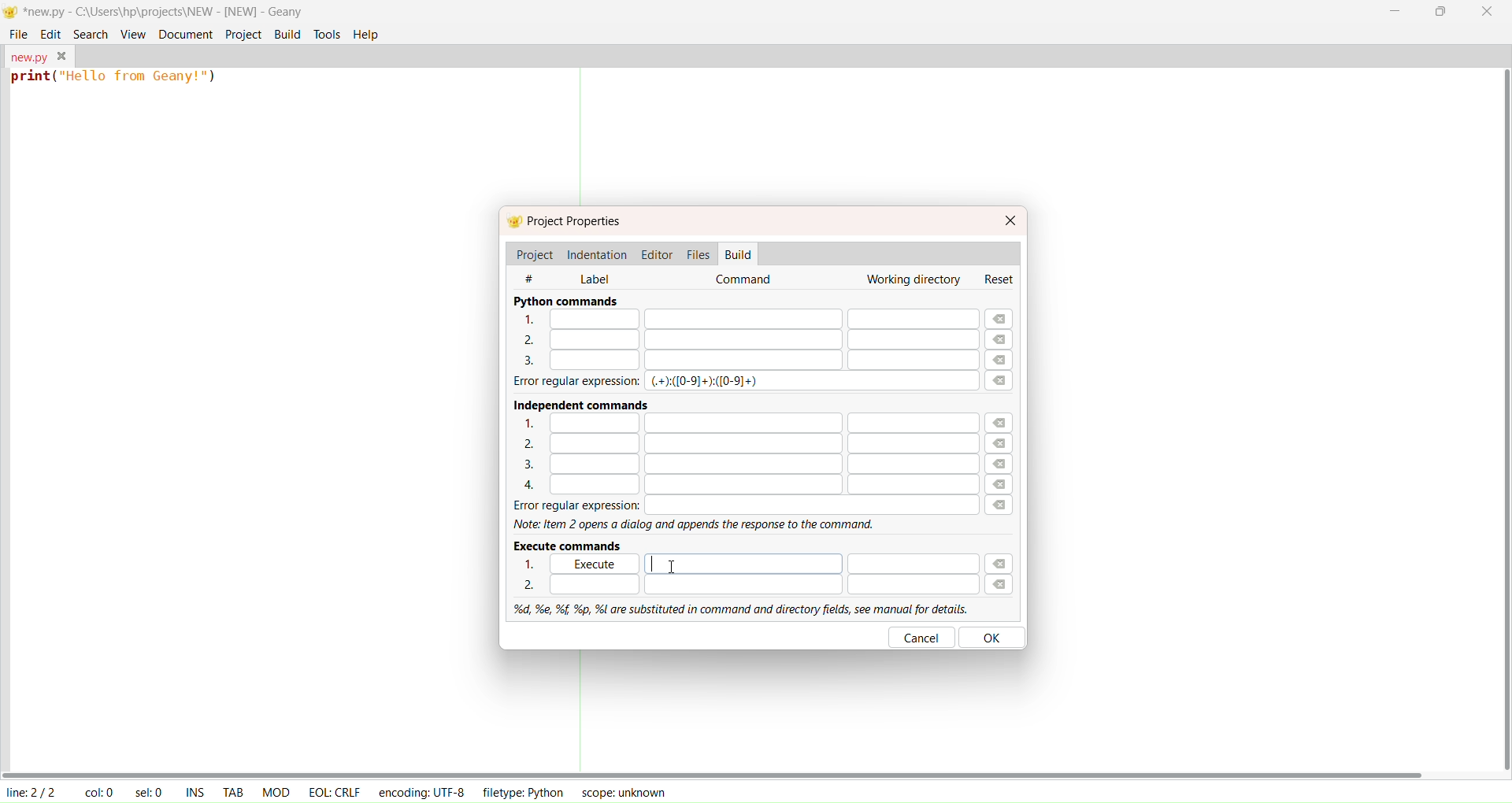 The height and width of the screenshot is (803, 1512). Describe the element at coordinates (1488, 13) in the screenshot. I see `close` at that location.